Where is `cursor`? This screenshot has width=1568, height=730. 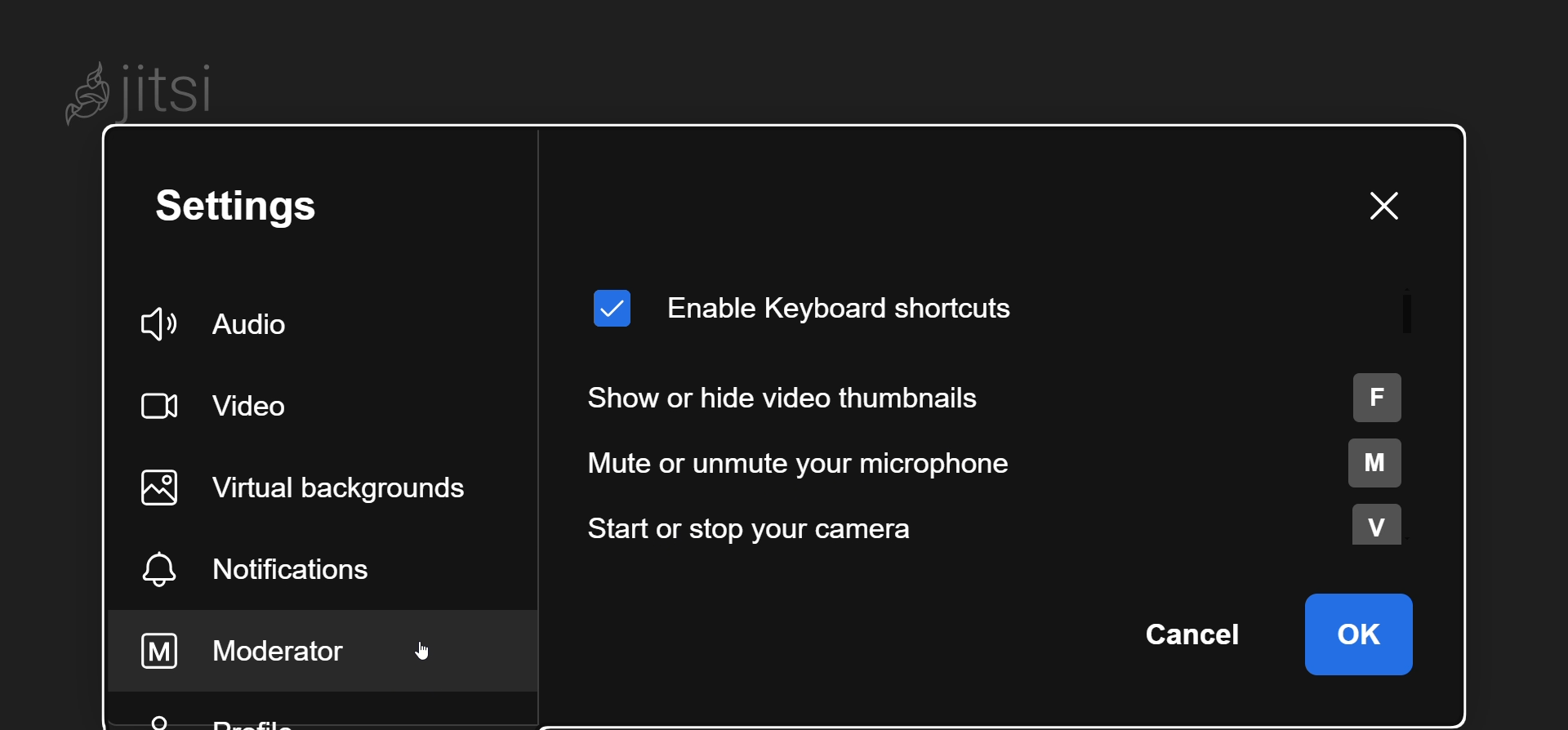
cursor is located at coordinates (425, 655).